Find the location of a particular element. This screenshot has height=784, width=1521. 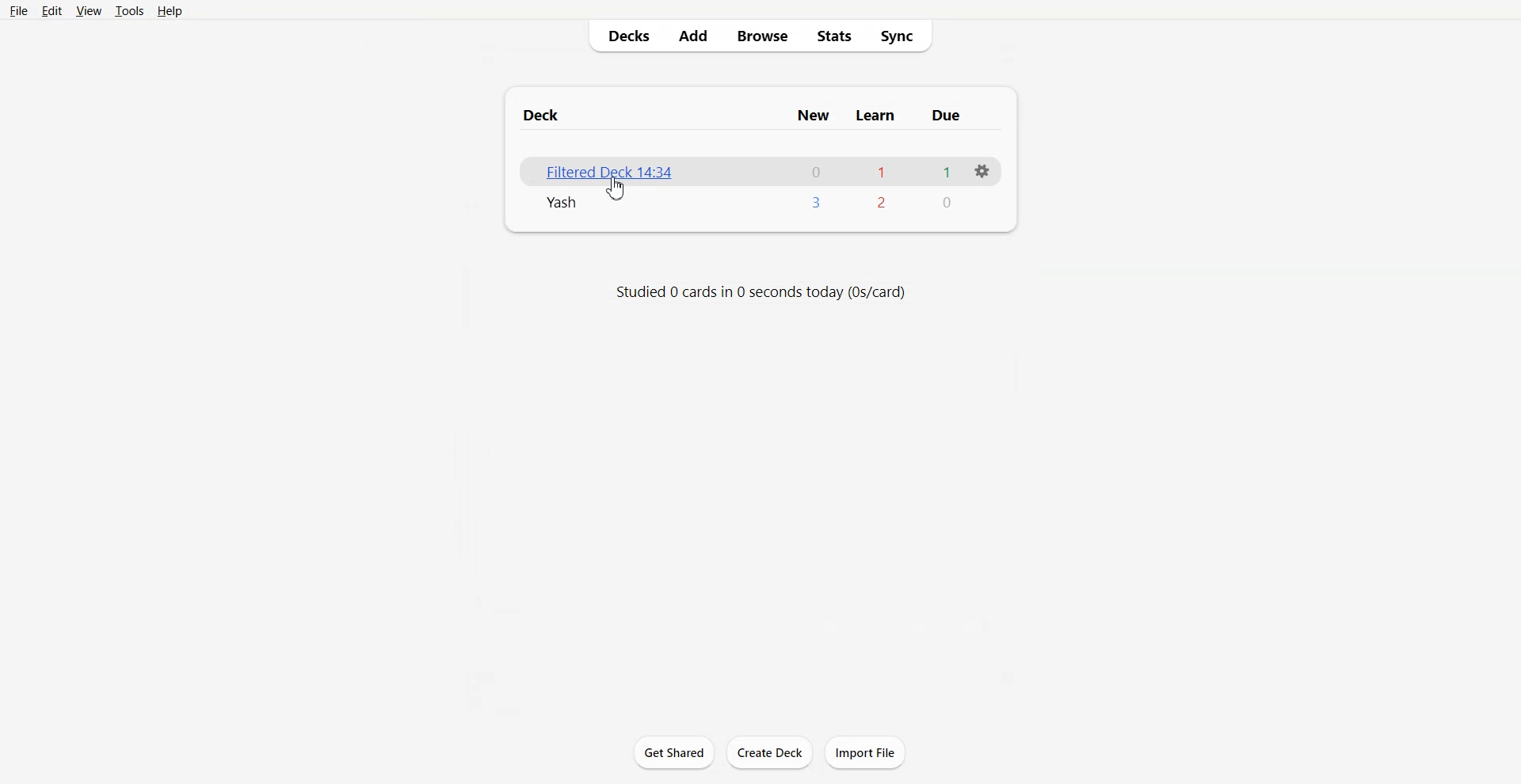

1 is located at coordinates (948, 171).